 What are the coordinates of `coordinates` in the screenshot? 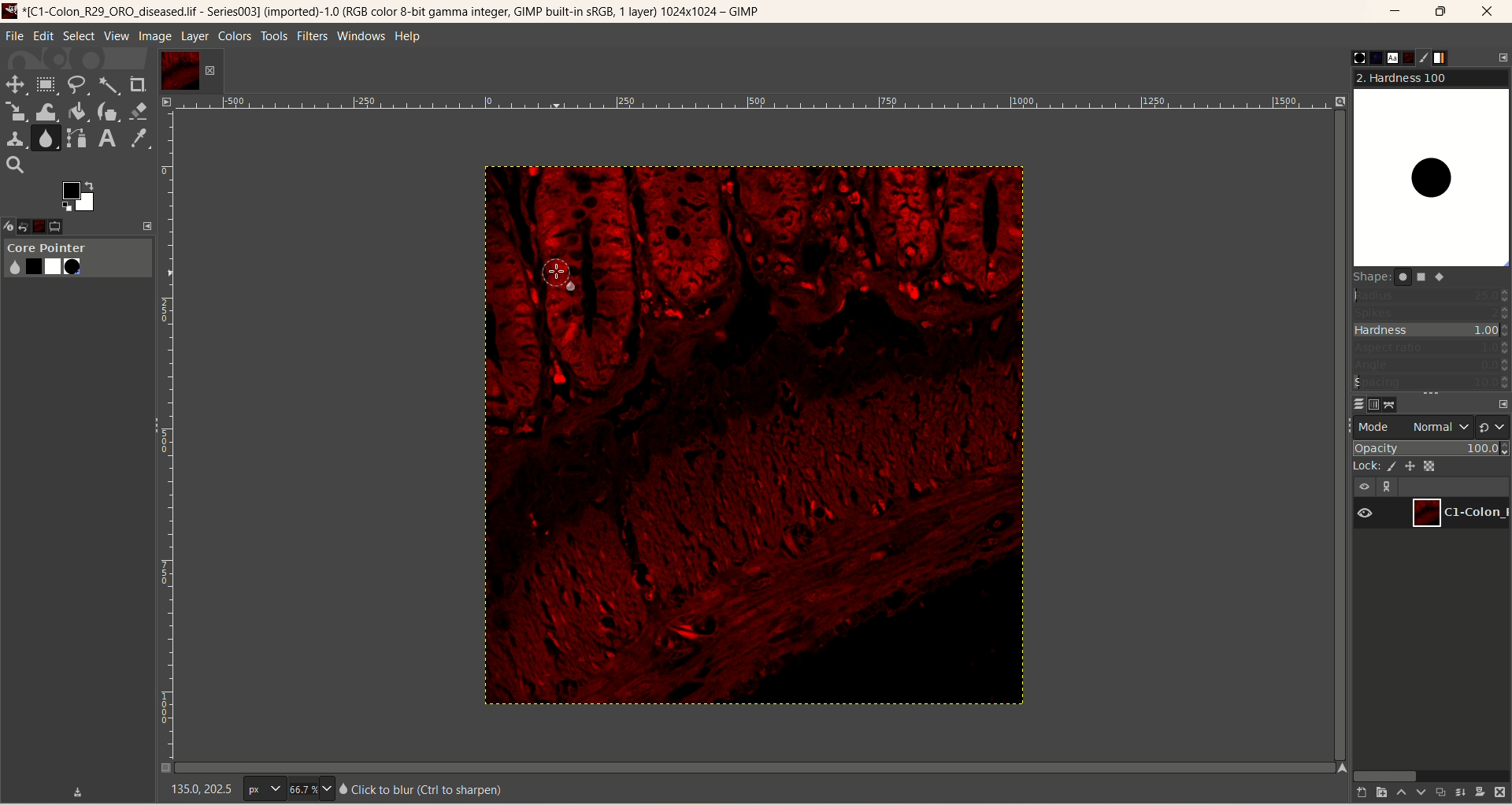 It's located at (192, 789).